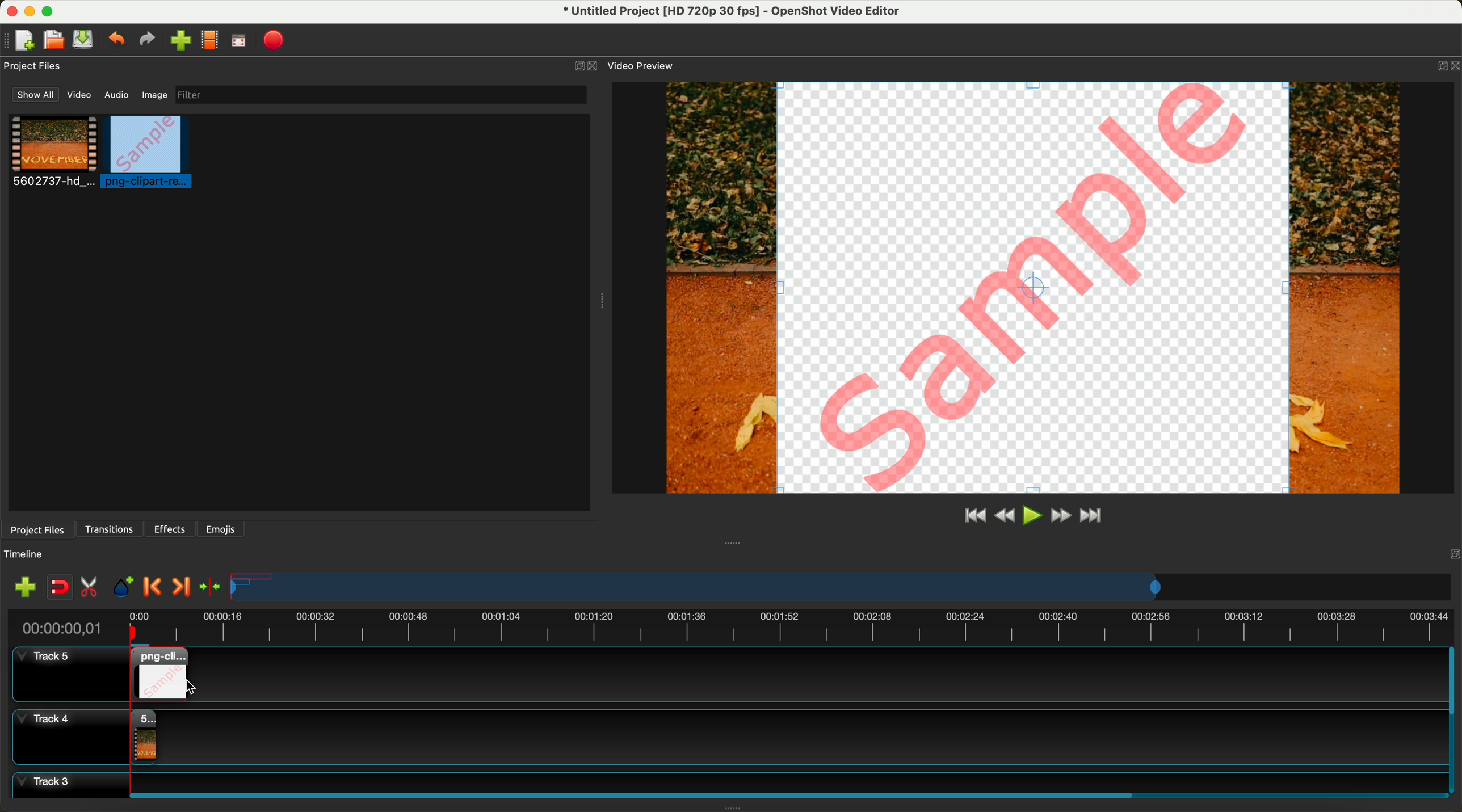  I want to click on timeline, so click(730, 626).